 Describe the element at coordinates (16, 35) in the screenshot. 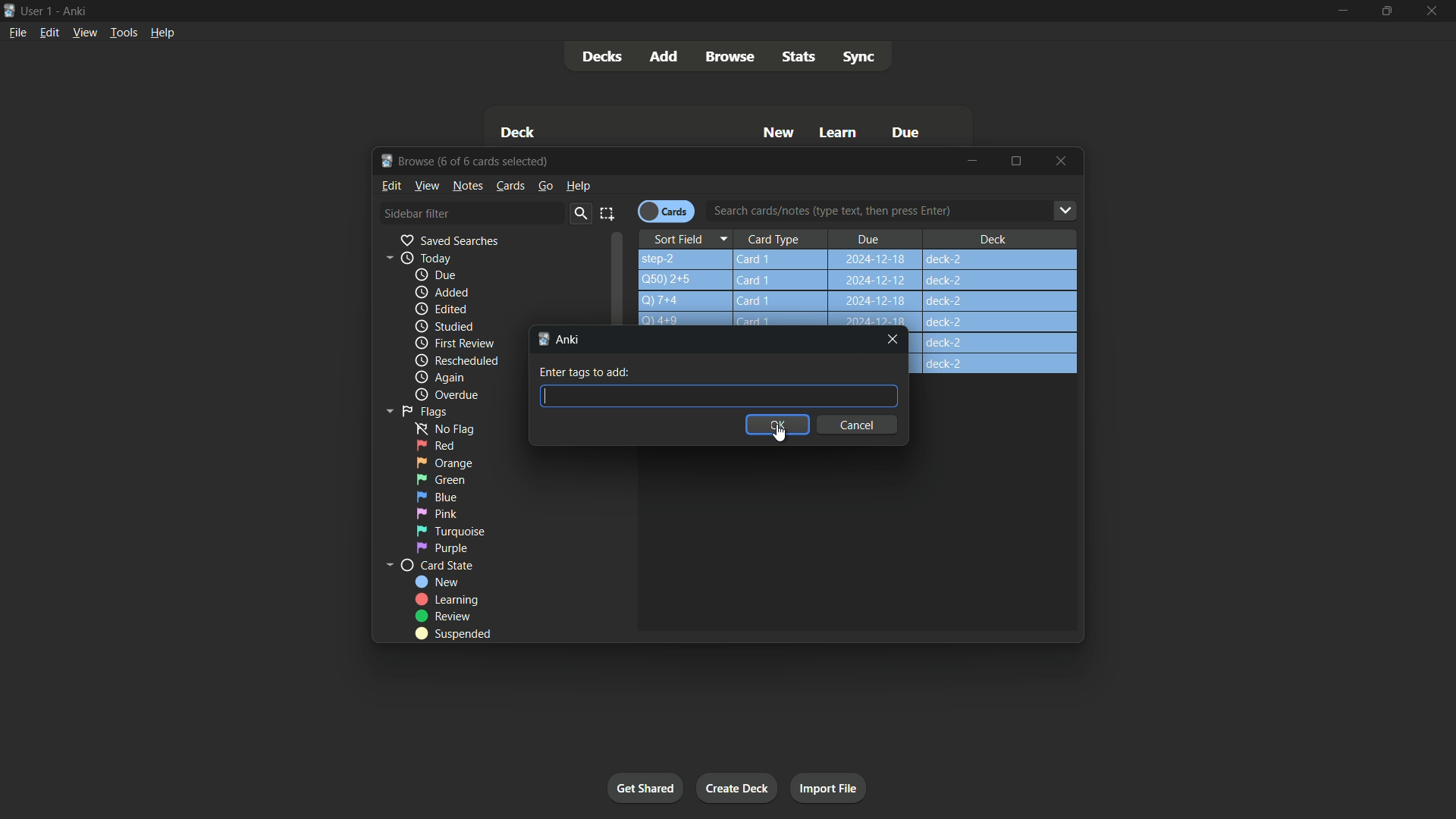

I see `File menu` at that location.